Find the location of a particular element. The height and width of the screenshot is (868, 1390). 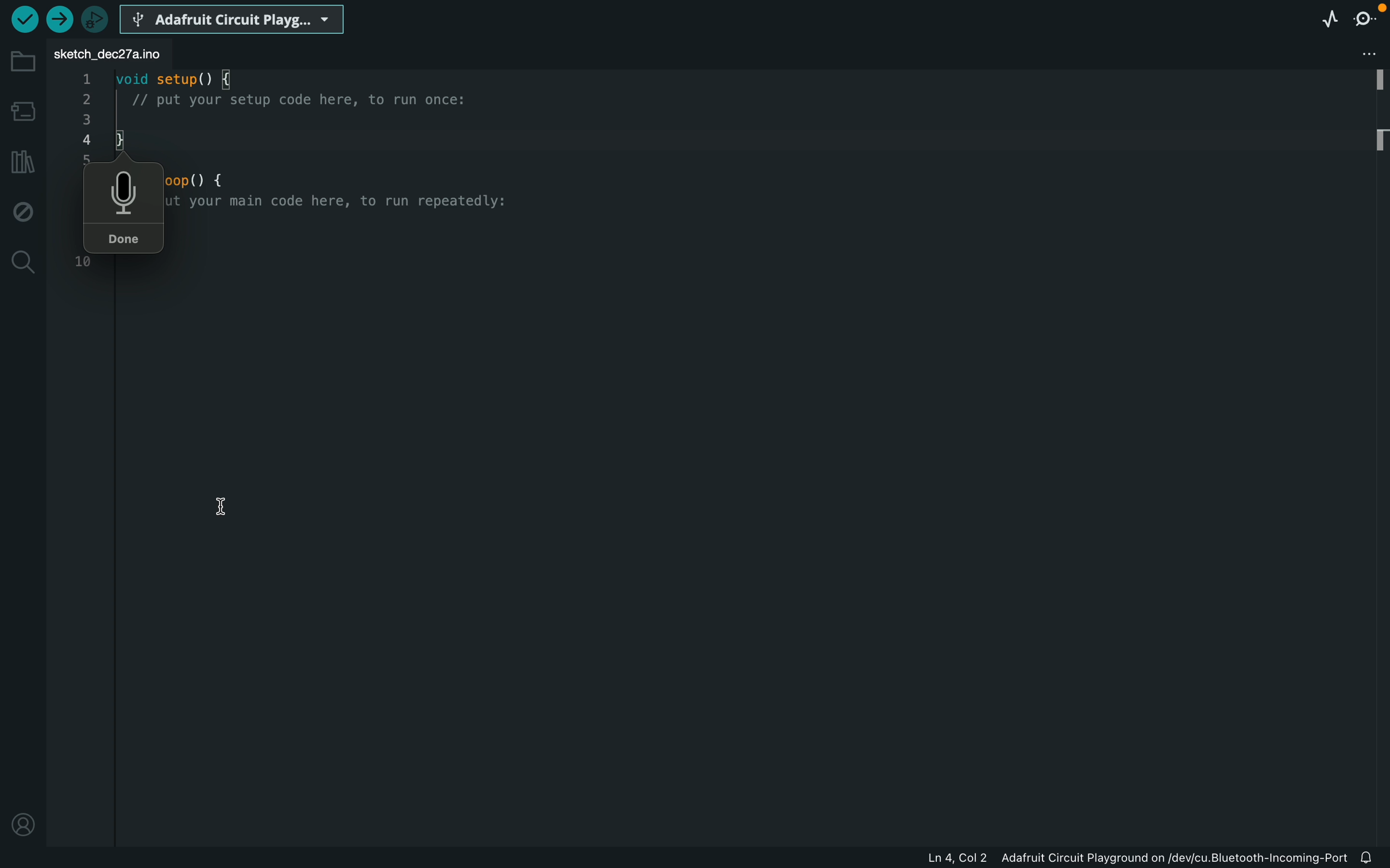

Arduino Circuit Playground on/dev/cu.Bluetooth-Incoming-Port is located at coordinates (1173, 857).